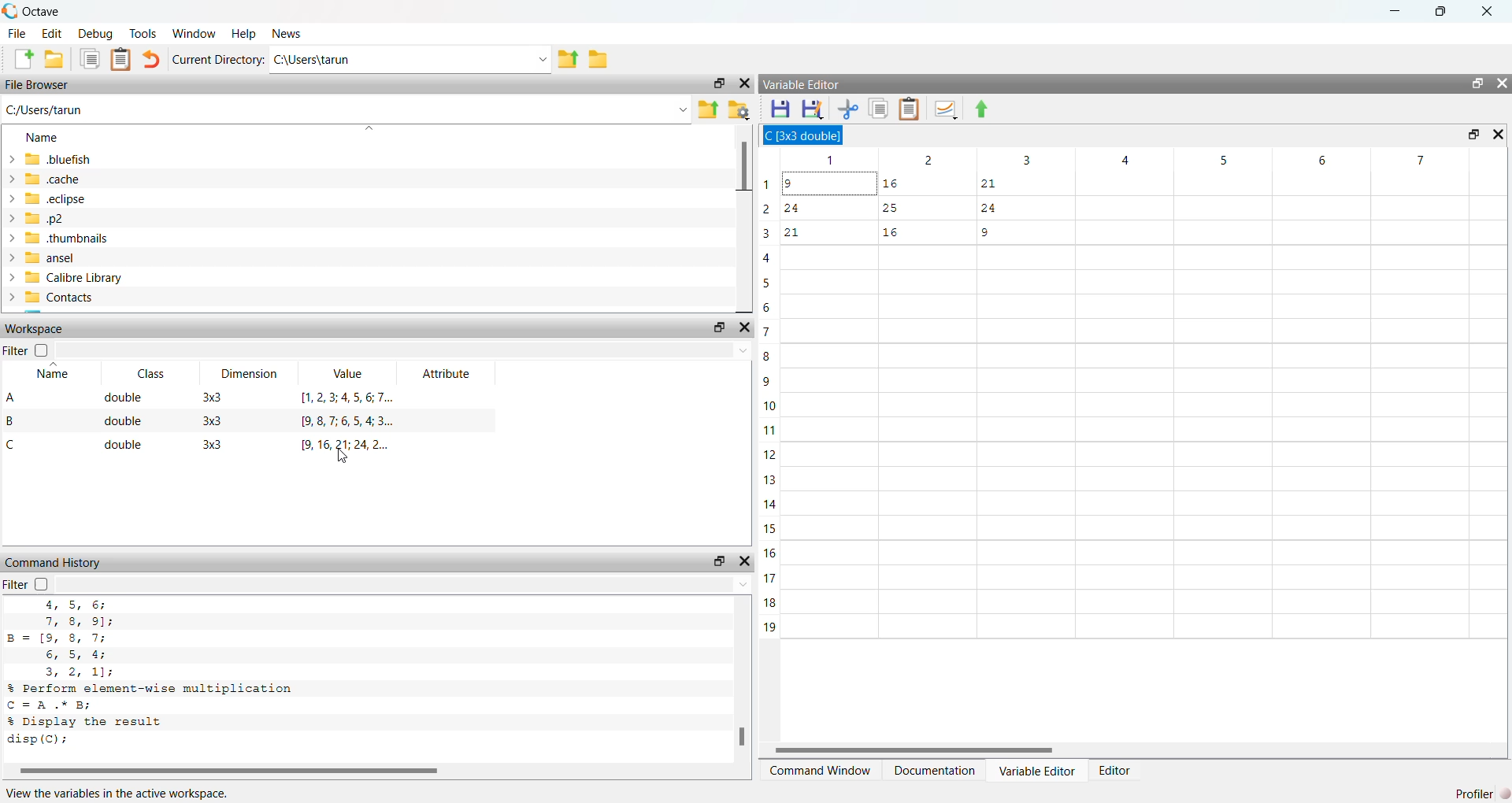  I want to click on Variable Editor, so click(815, 83).